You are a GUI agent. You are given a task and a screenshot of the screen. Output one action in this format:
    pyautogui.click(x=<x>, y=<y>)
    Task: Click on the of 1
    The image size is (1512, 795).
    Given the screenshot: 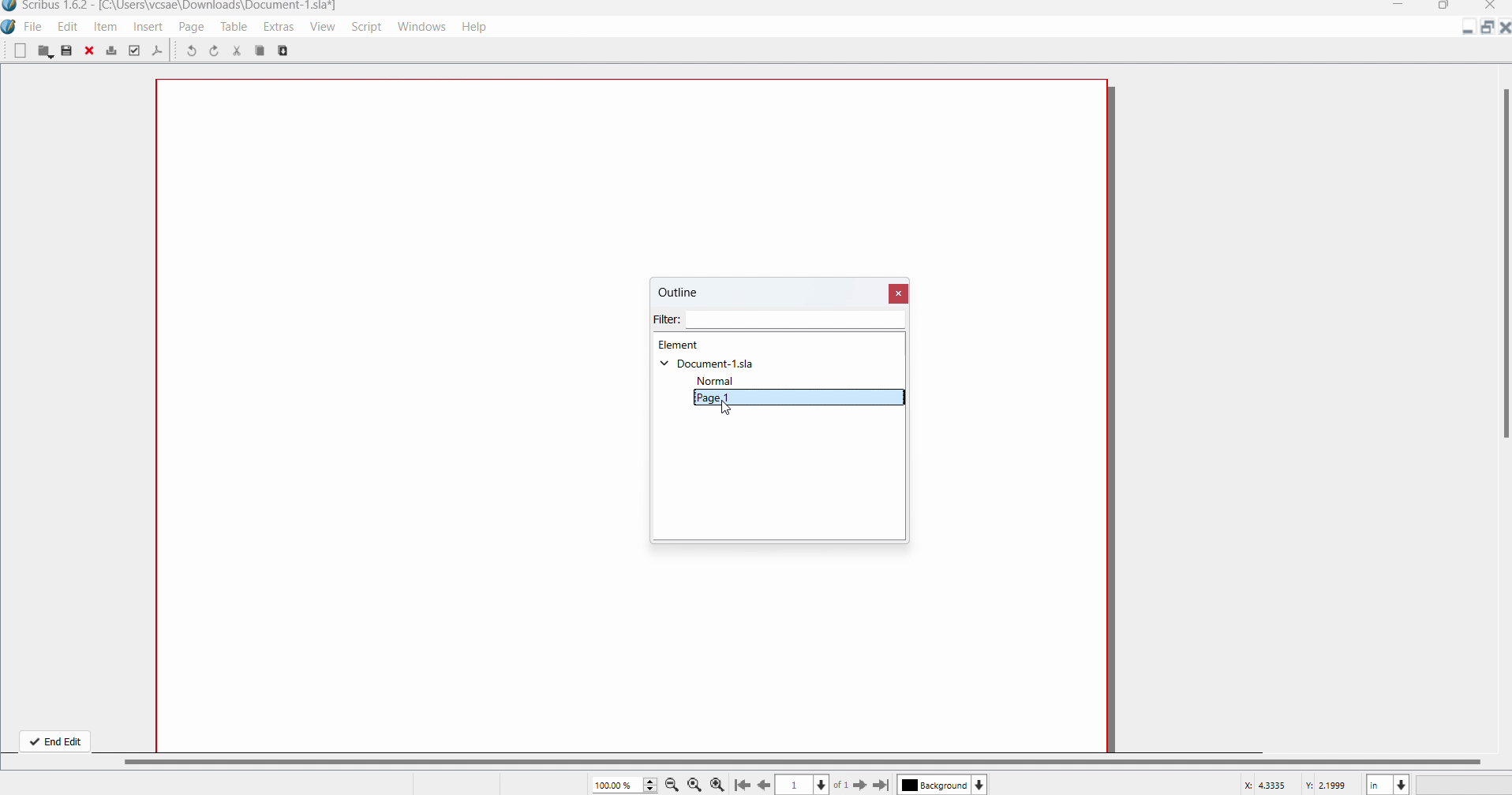 What is the action you would take?
    pyautogui.click(x=843, y=785)
    